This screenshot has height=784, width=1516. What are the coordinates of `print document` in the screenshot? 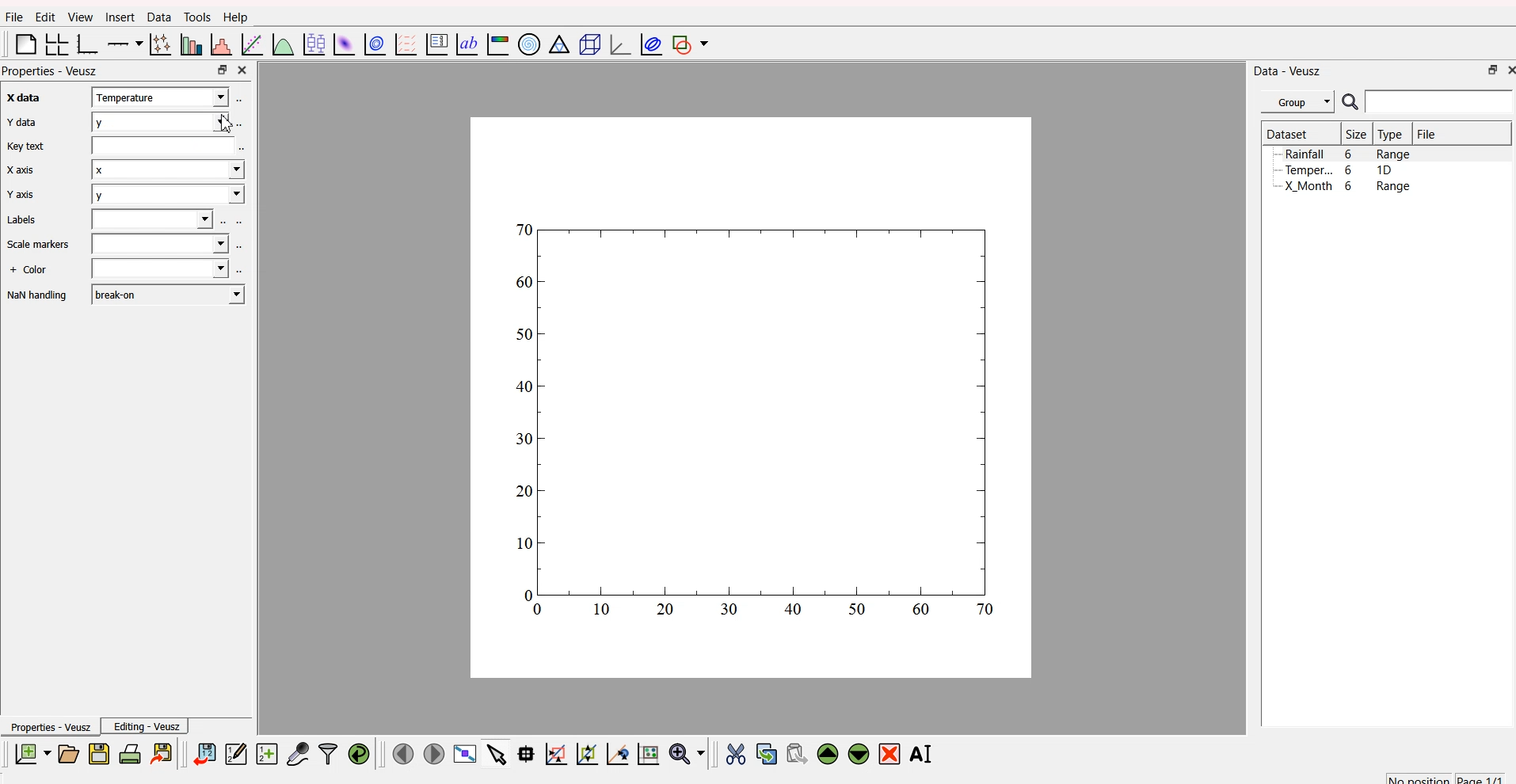 It's located at (130, 753).